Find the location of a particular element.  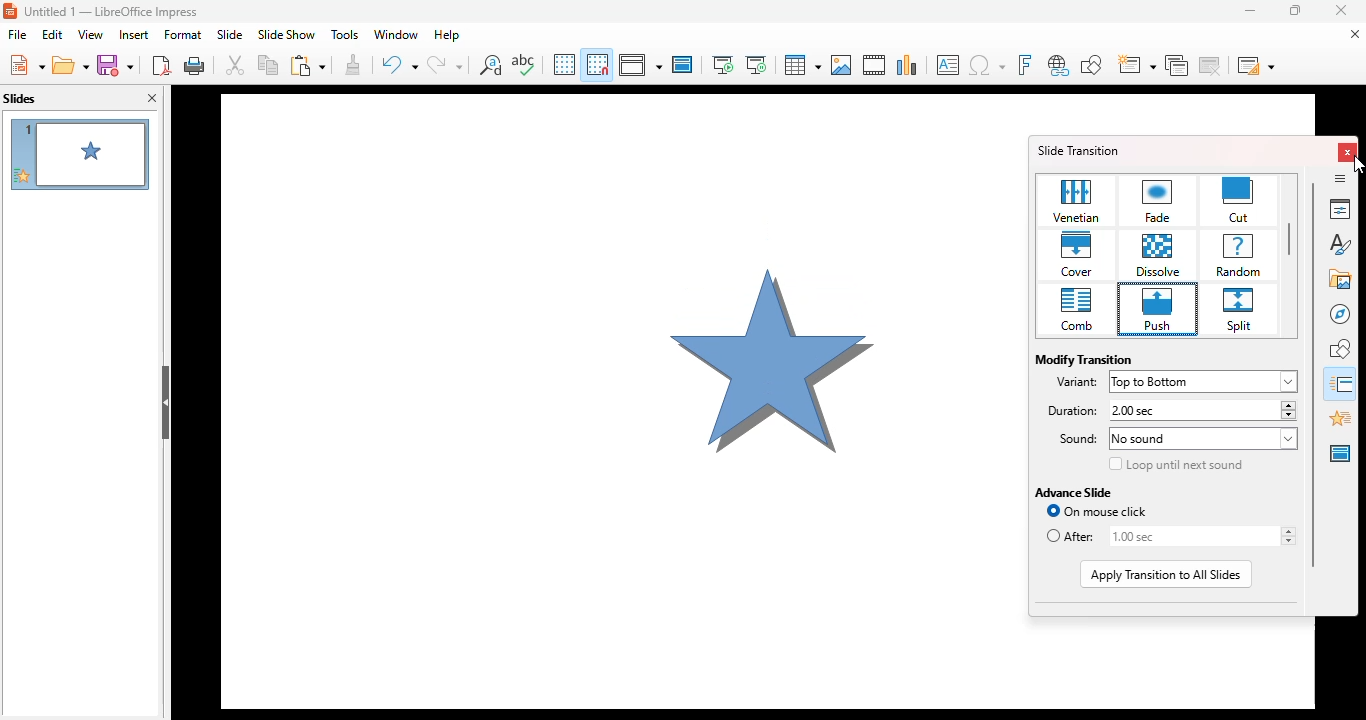

venetian is located at coordinates (1077, 201).